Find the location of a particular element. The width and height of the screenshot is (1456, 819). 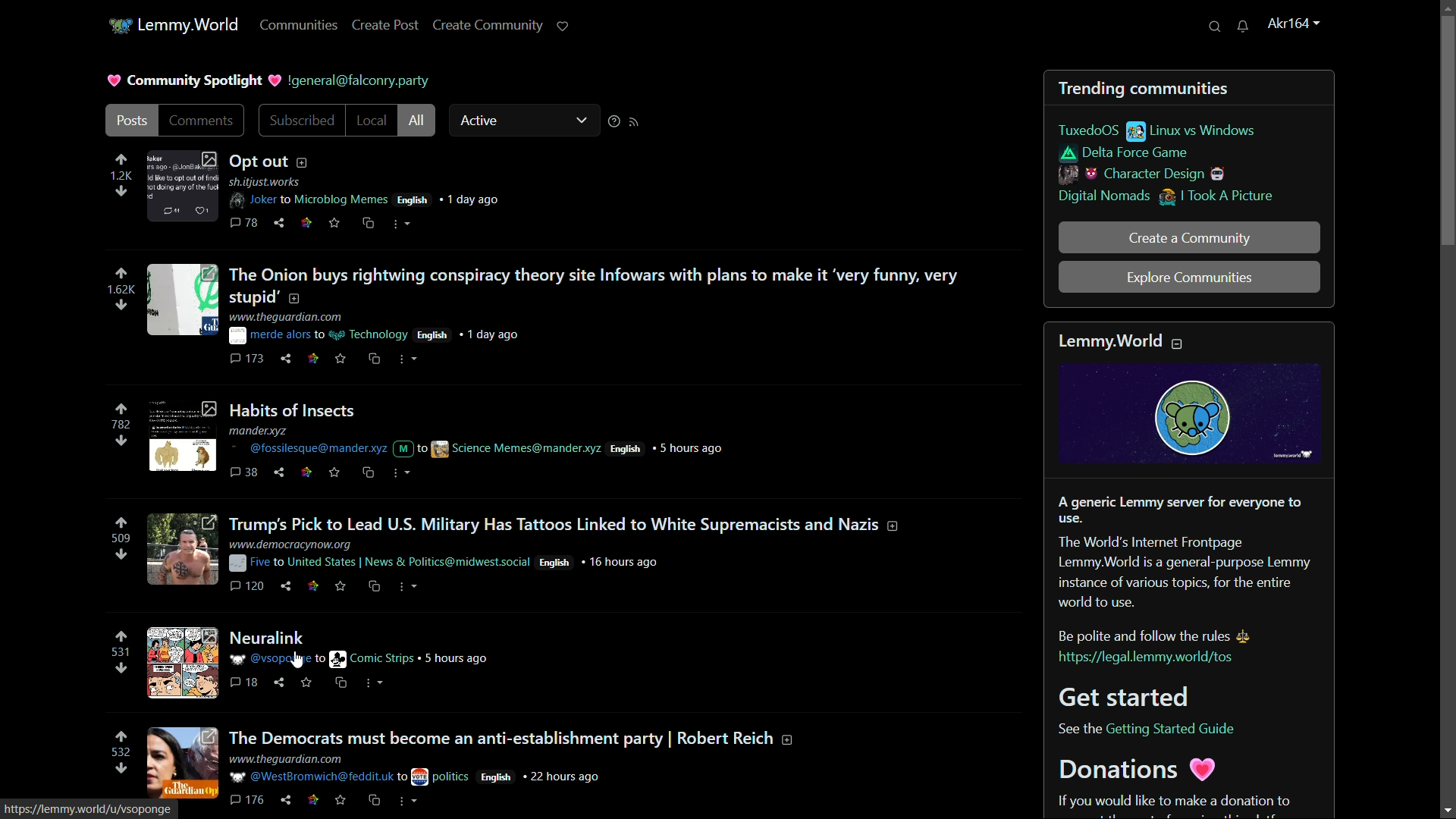

post-6 is located at coordinates (516, 757).